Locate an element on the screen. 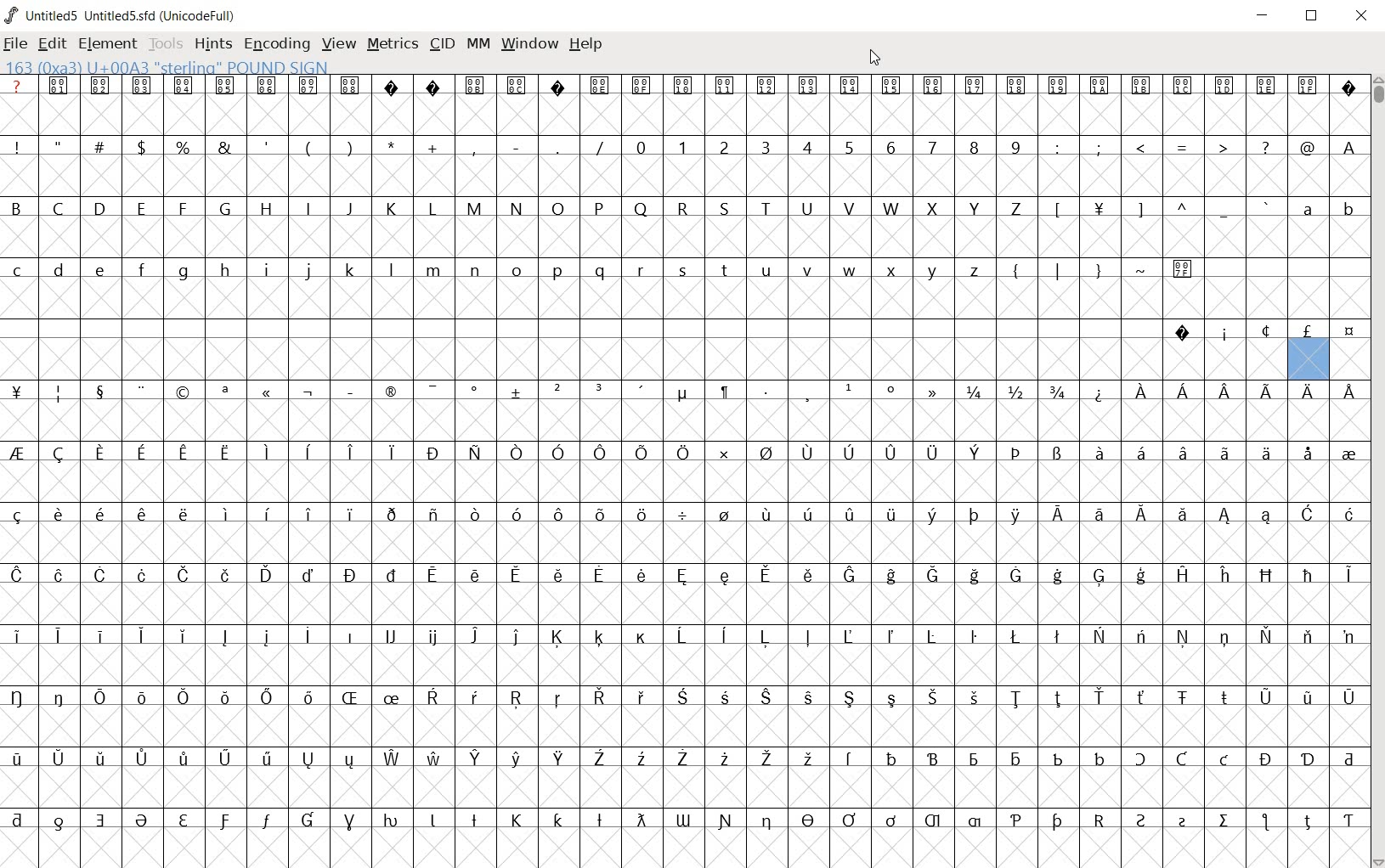  k is located at coordinates (349, 269).